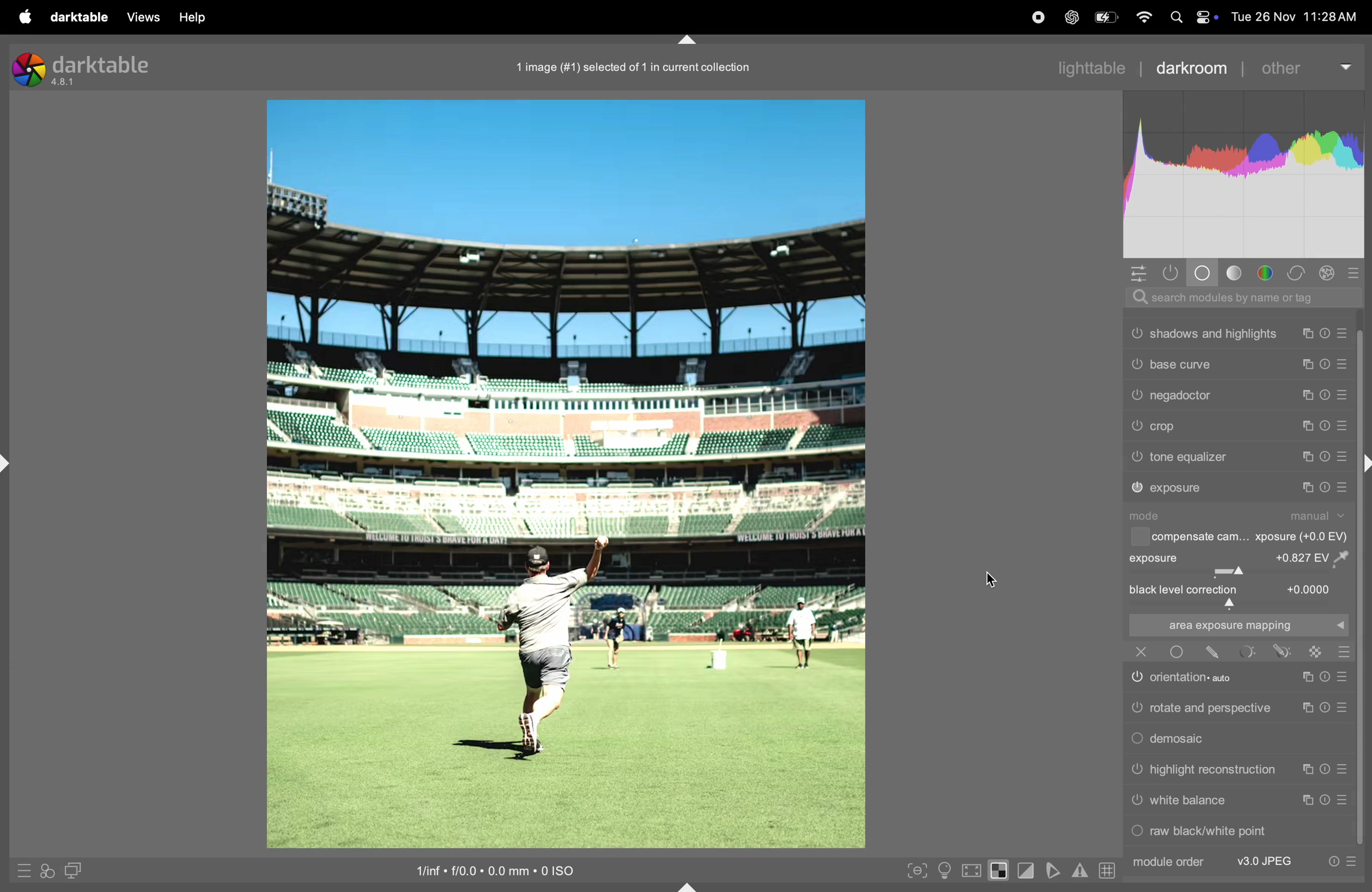  What do you see at coordinates (1324, 487) in the screenshot?
I see `reset presets` at bounding box center [1324, 487].